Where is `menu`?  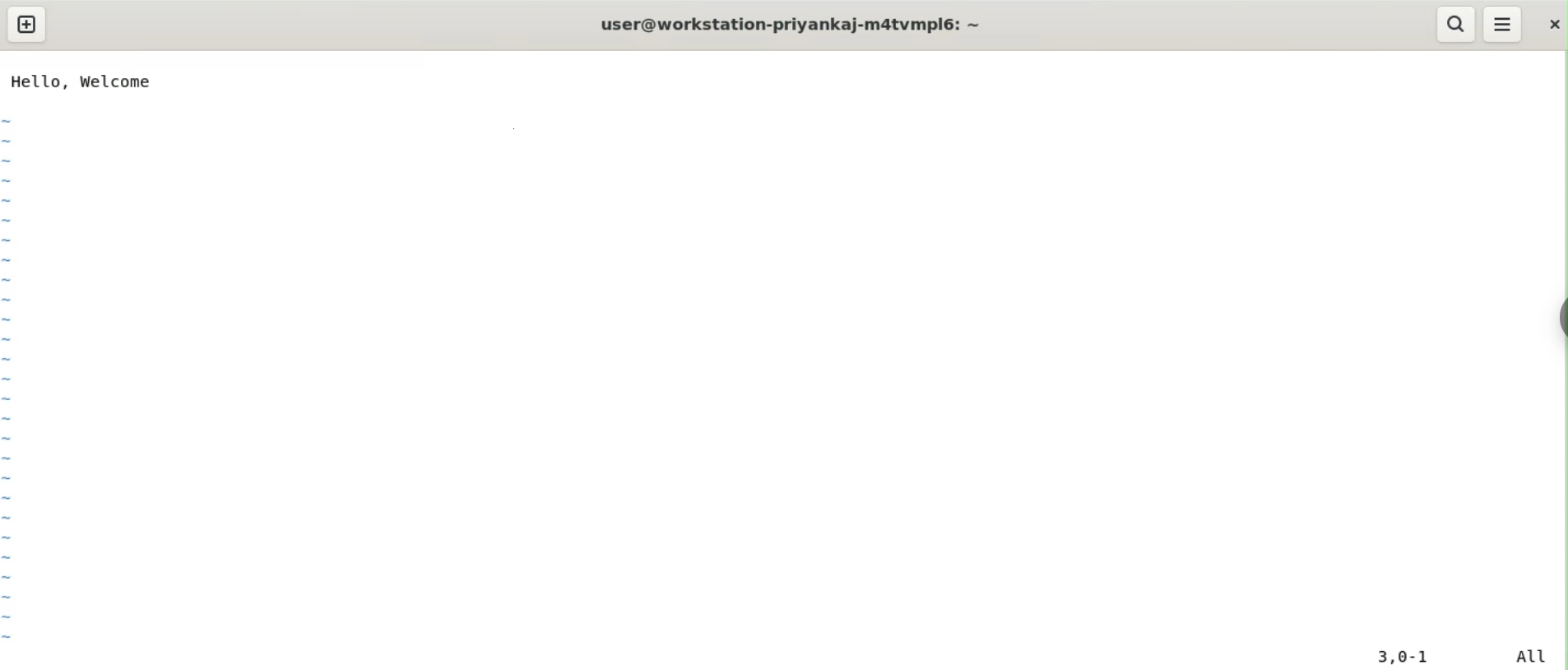 menu is located at coordinates (1504, 25).